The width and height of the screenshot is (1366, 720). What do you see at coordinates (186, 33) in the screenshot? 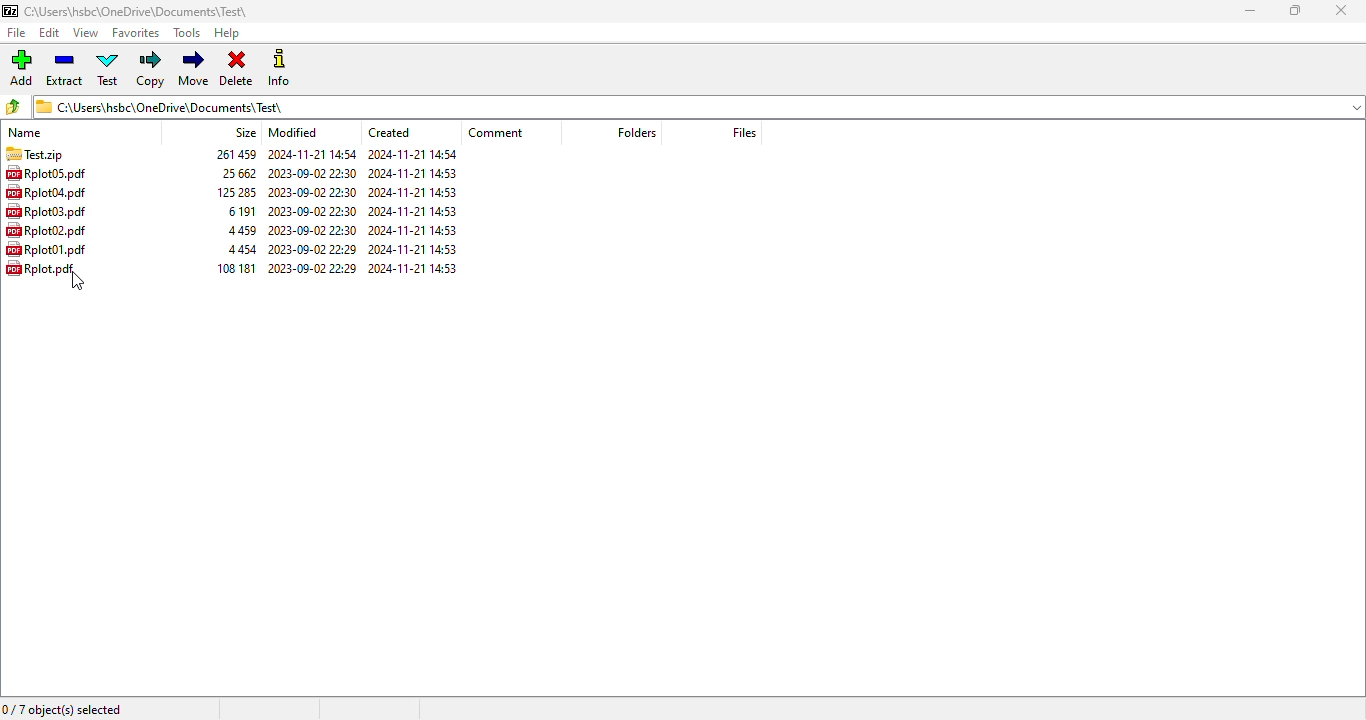
I see `tools` at bounding box center [186, 33].